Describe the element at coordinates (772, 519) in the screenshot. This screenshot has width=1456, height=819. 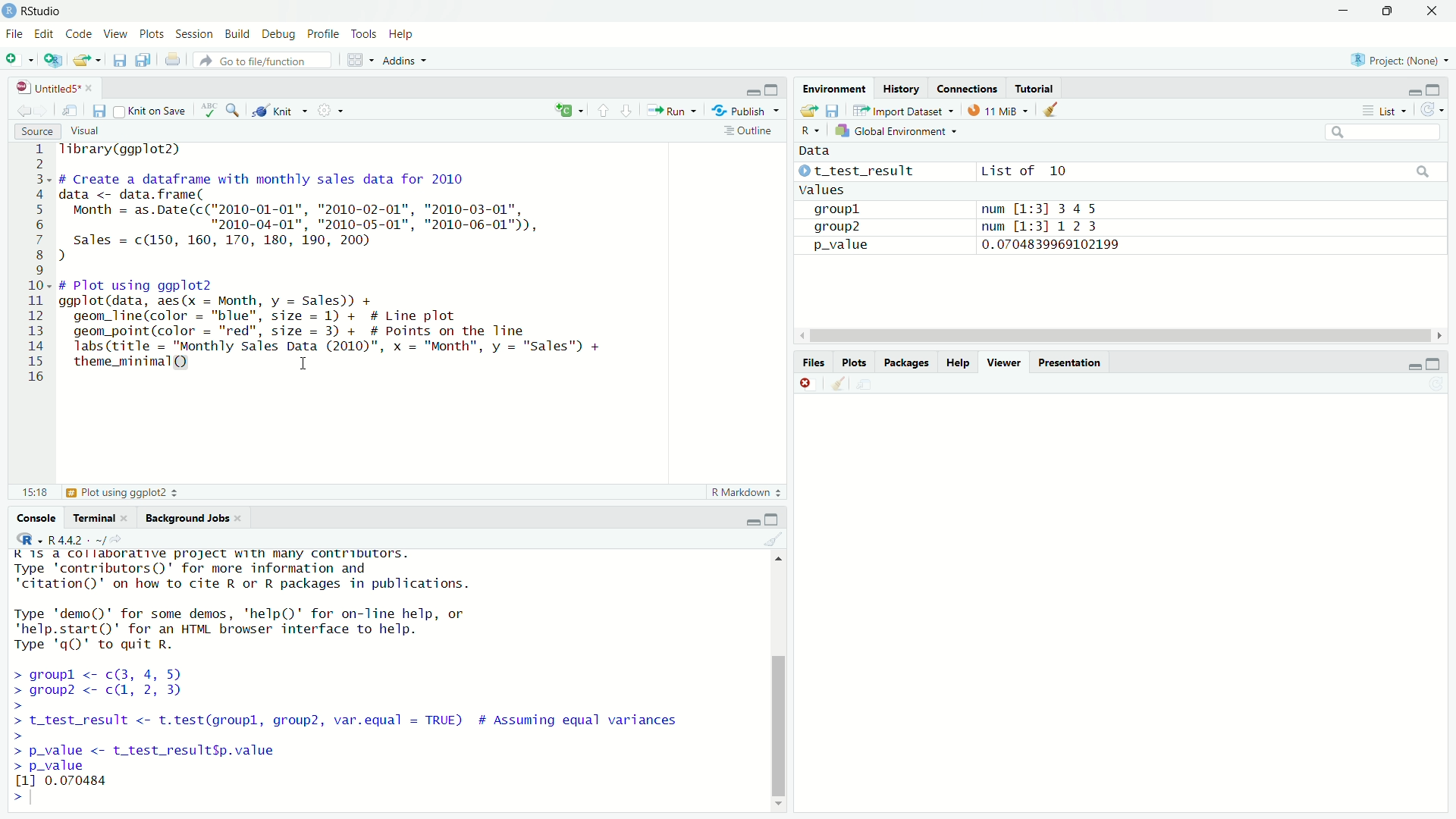
I see `maximise` at that location.